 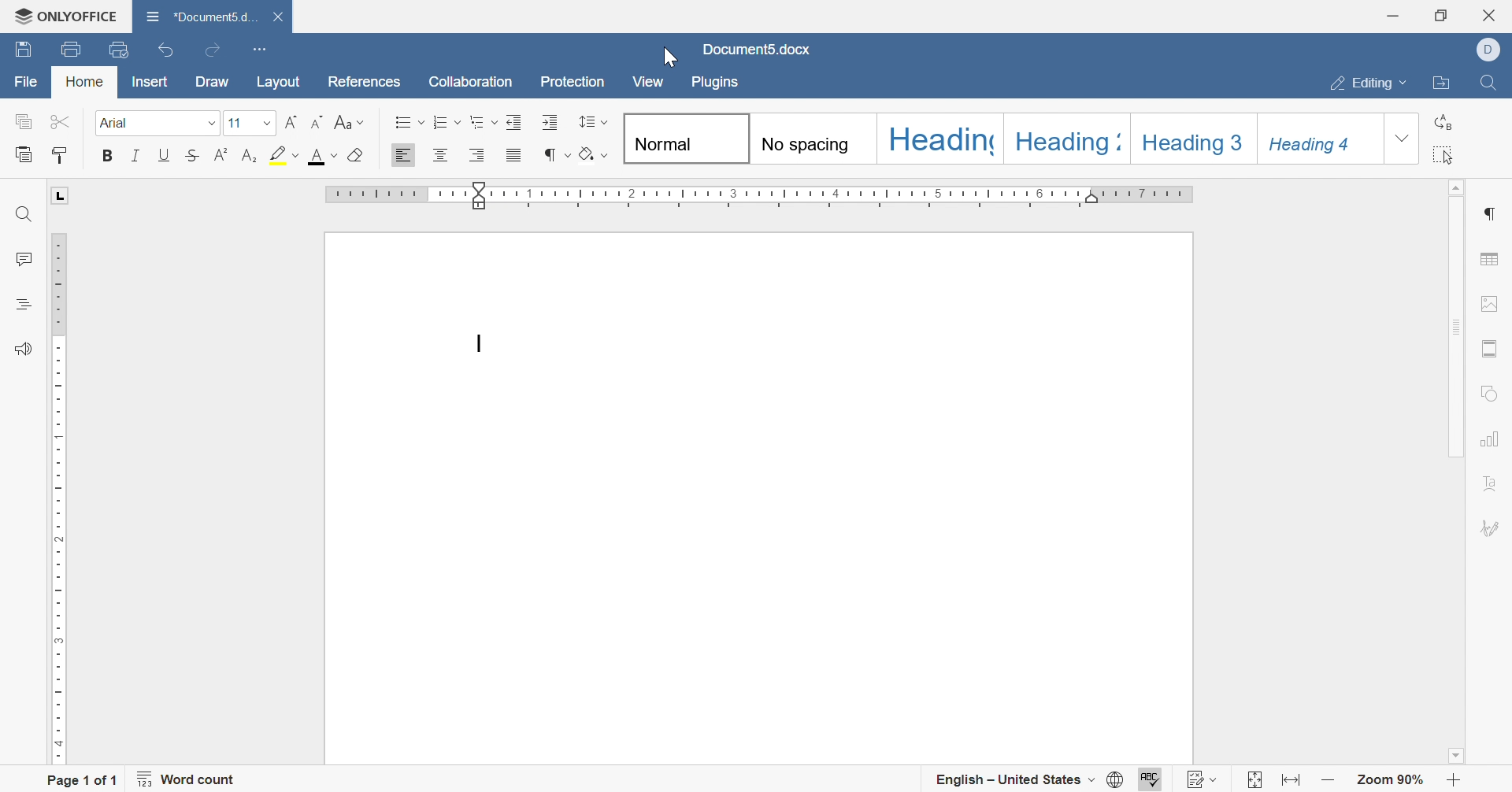 I want to click on paste, so click(x=26, y=154).